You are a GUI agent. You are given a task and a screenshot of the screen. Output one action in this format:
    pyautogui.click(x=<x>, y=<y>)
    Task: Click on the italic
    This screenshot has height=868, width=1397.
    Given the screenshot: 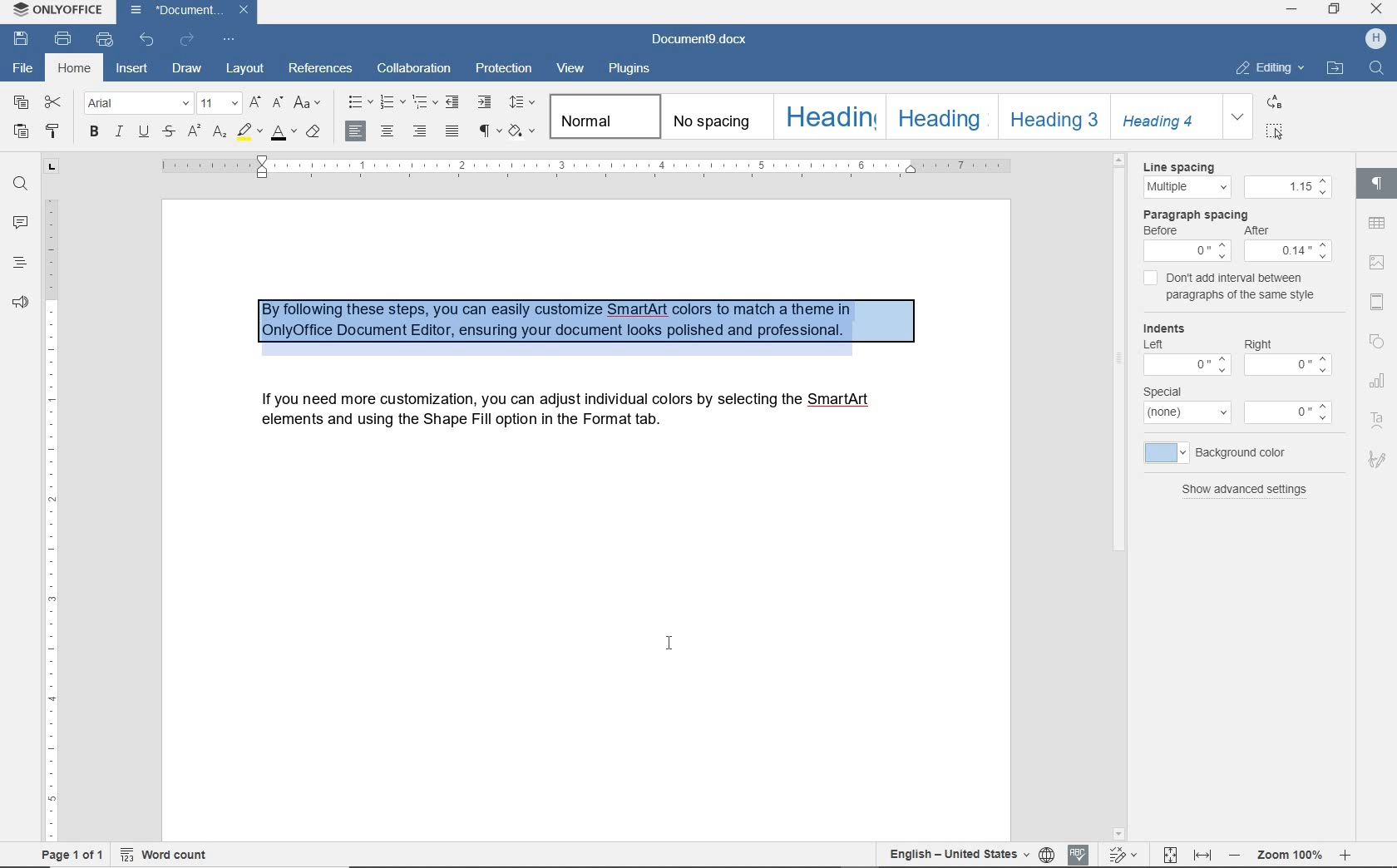 What is the action you would take?
    pyautogui.click(x=119, y=132)
    